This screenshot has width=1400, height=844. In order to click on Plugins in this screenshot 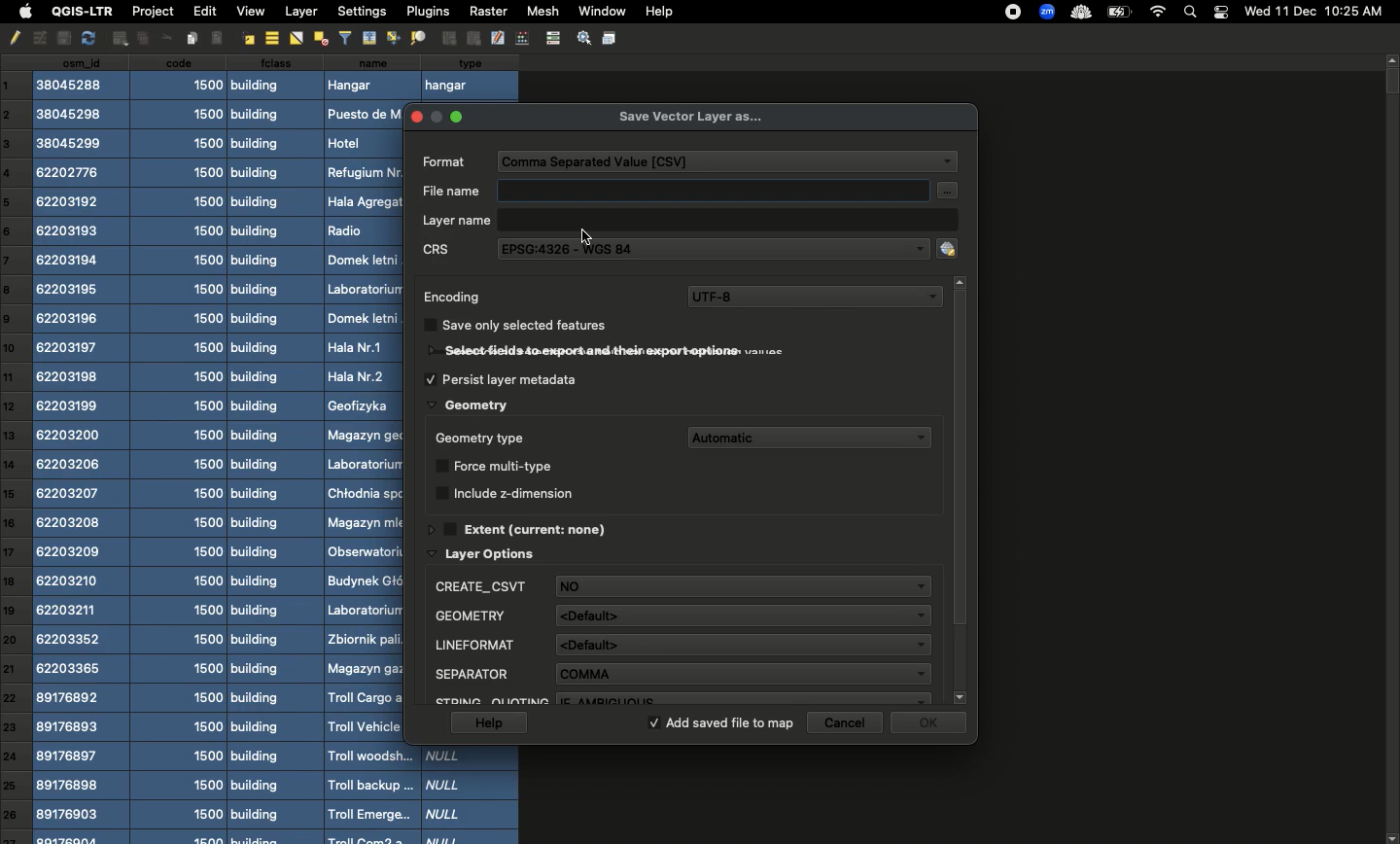, I will do `click(426, 11)`.